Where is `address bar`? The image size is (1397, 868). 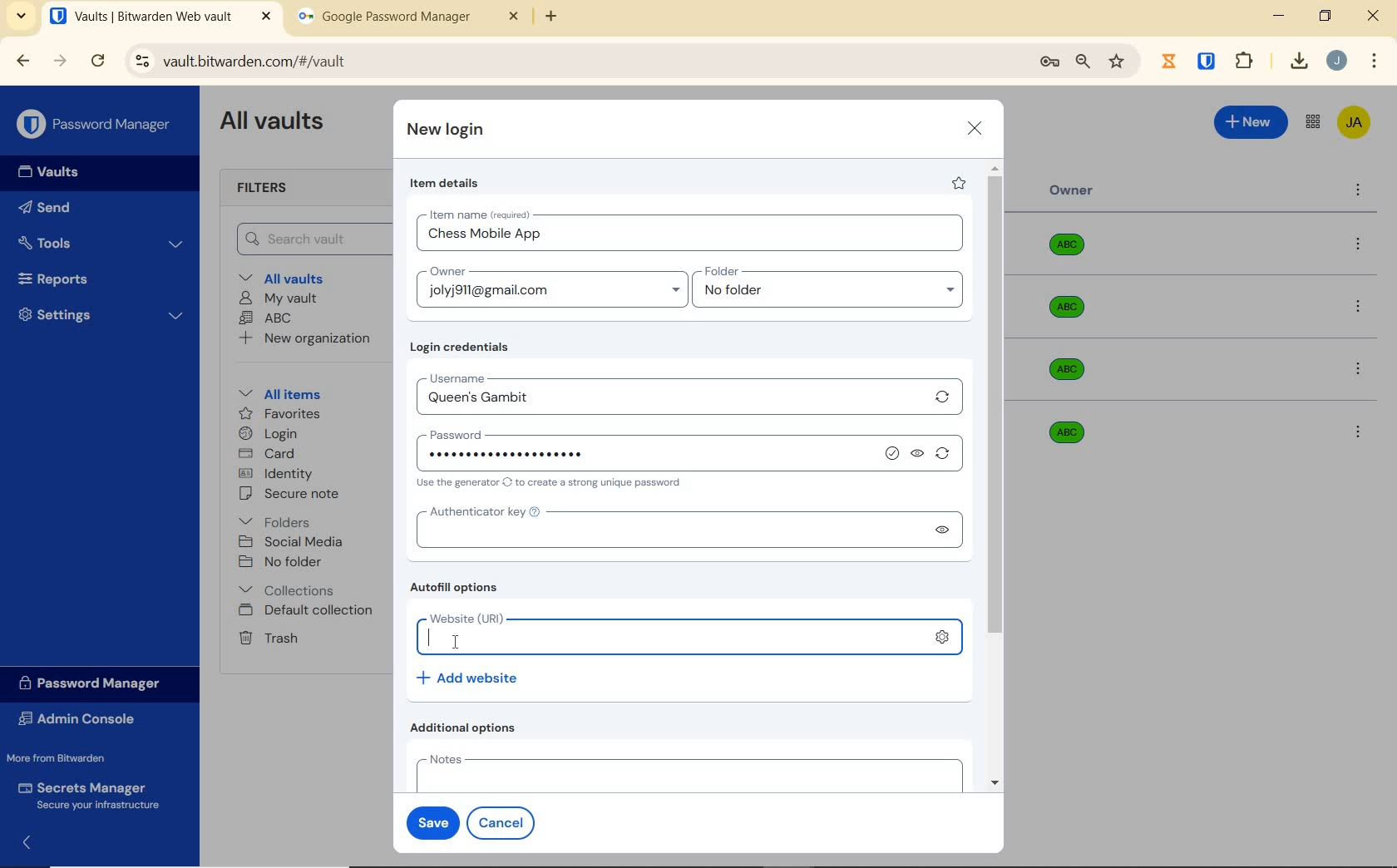 address bar is located at coordinates (573, 62).